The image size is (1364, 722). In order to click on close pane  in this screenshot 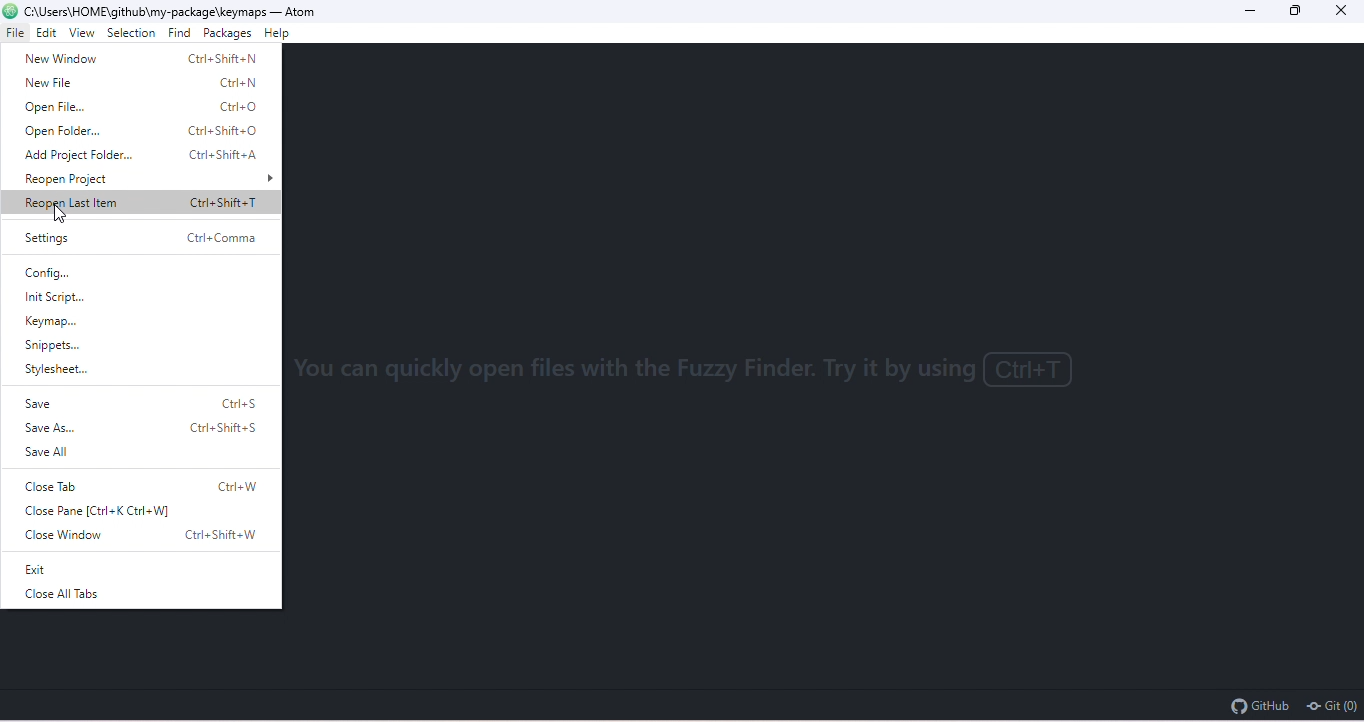, I will do `click(144, 514)`.